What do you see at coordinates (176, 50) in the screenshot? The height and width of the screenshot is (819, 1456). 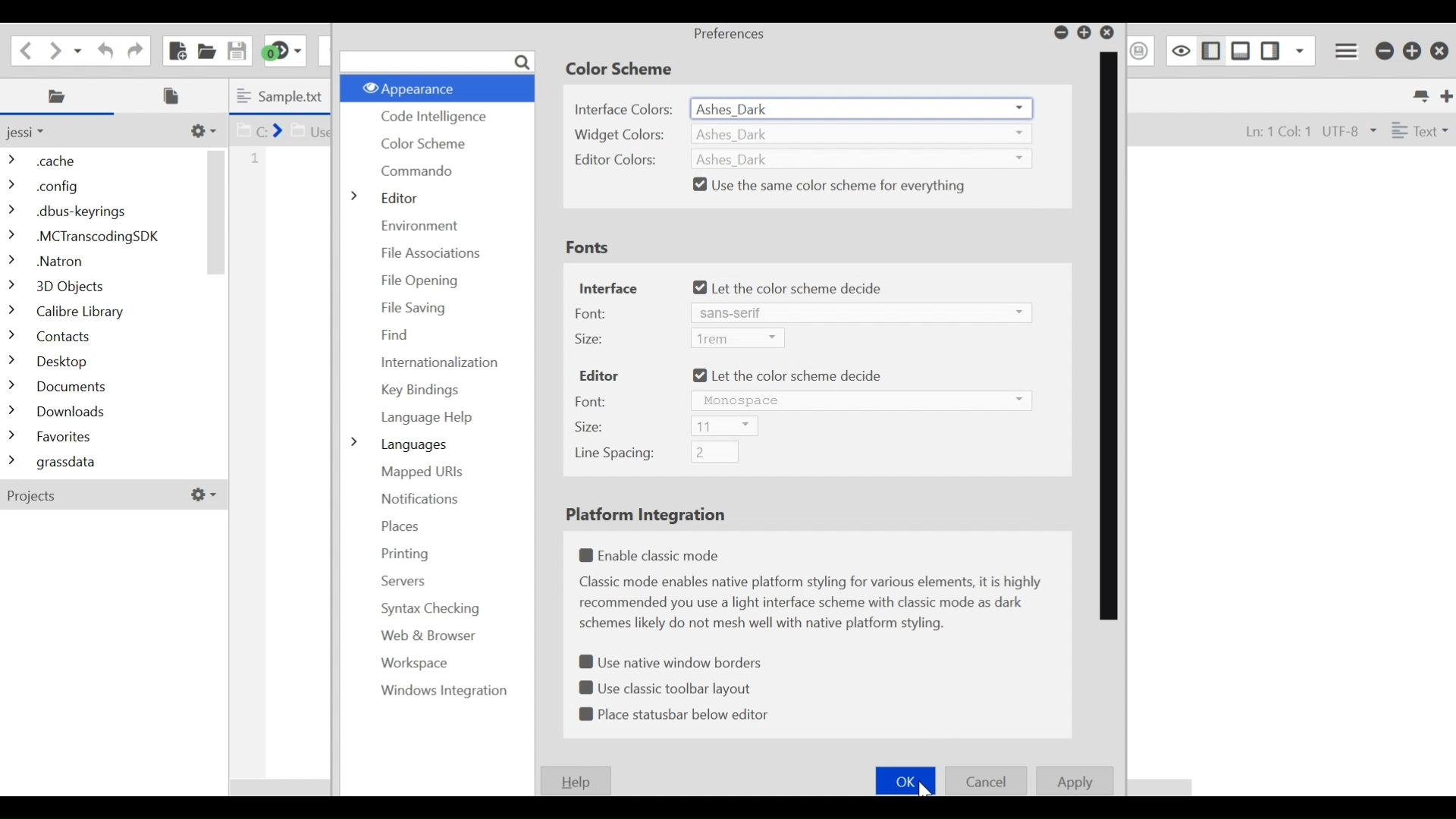 I see `New File` at bounding box center [176, 50].